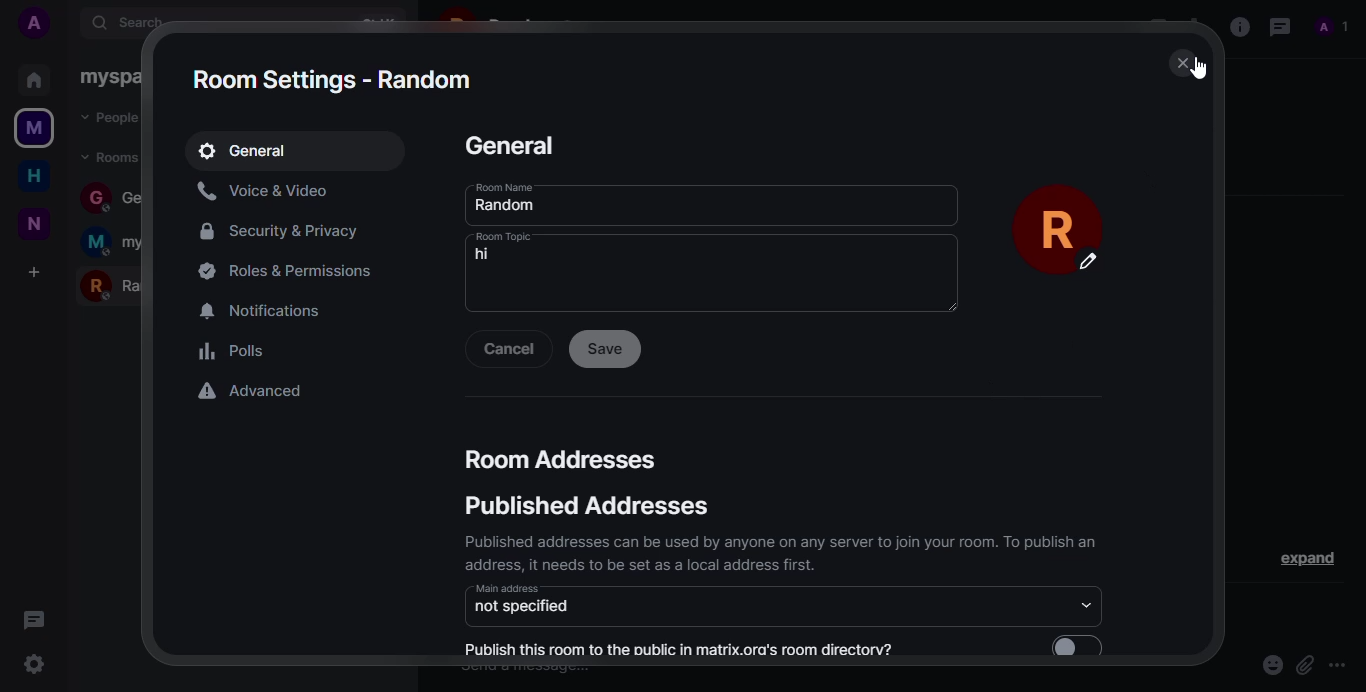  What do you see at coordinates (560, 457) in the screenshot?
I see `room addresses` at bounding box center [560, 457].